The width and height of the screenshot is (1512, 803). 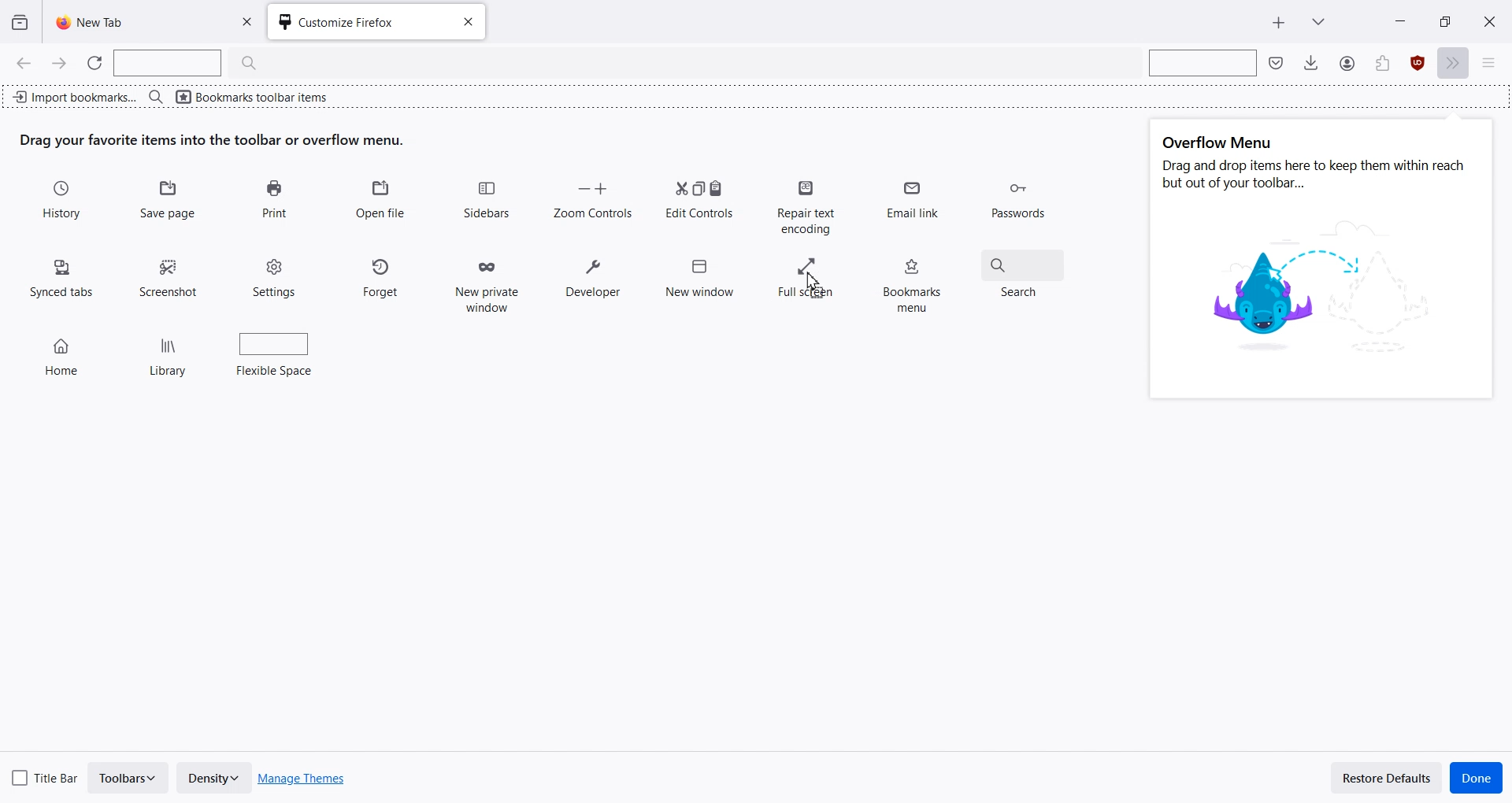 What do you see at coordinates (699, 198) in the screenshot?
I see `Edit Controls` at bounding box center [699, 198].